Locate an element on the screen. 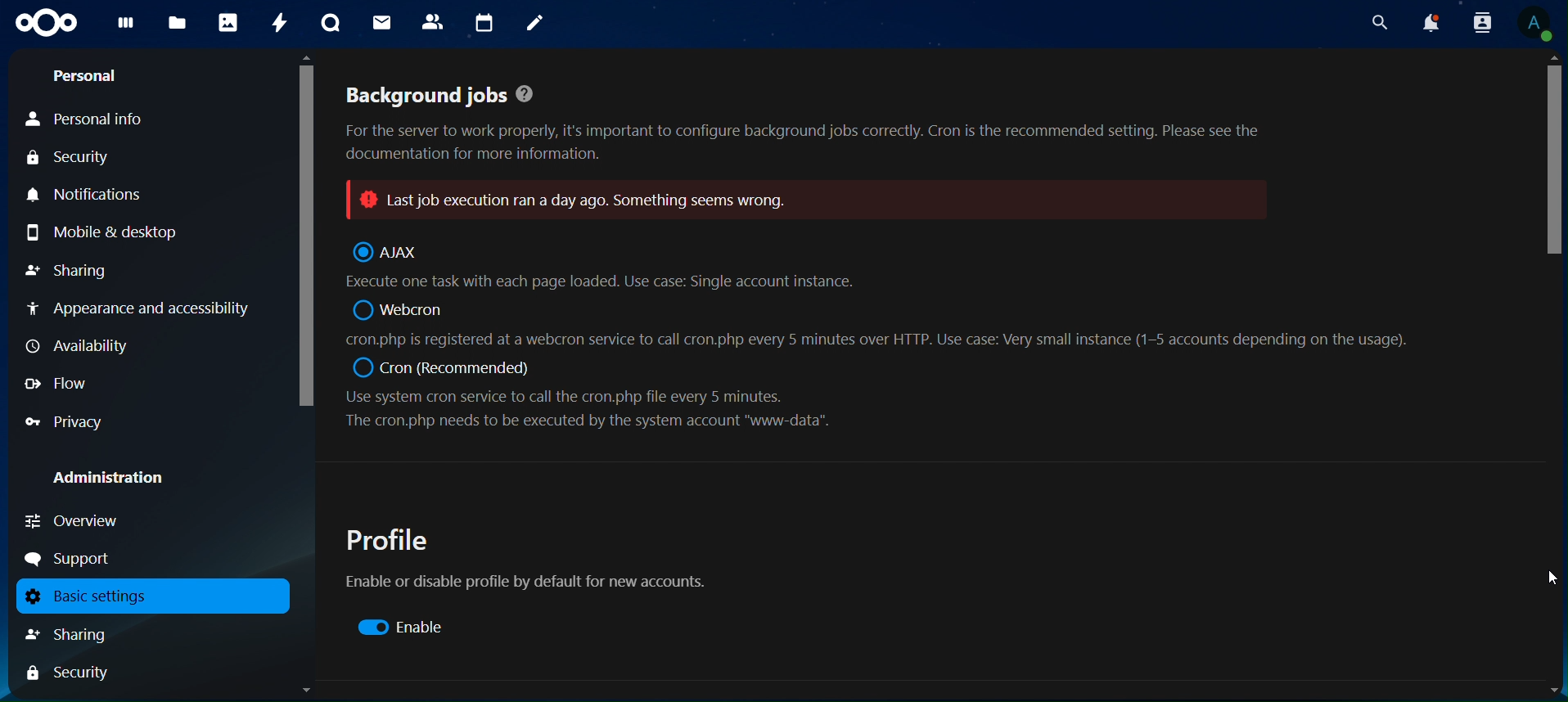 The width and height of the screenshot is (1568, 702). enable is located at coordinates (408, 627).